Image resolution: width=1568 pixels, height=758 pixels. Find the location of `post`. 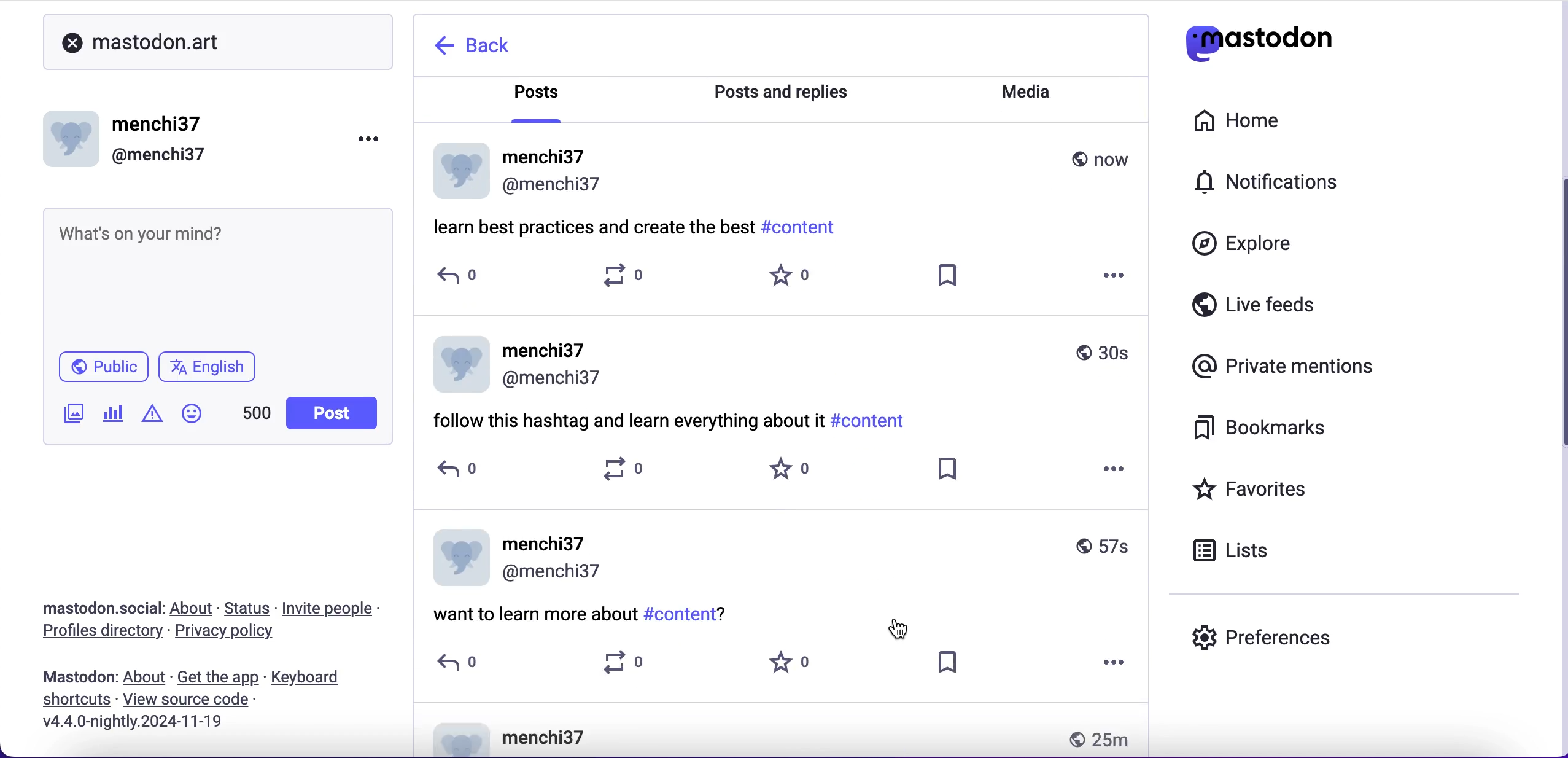

post is located at coordinates (591, 227).